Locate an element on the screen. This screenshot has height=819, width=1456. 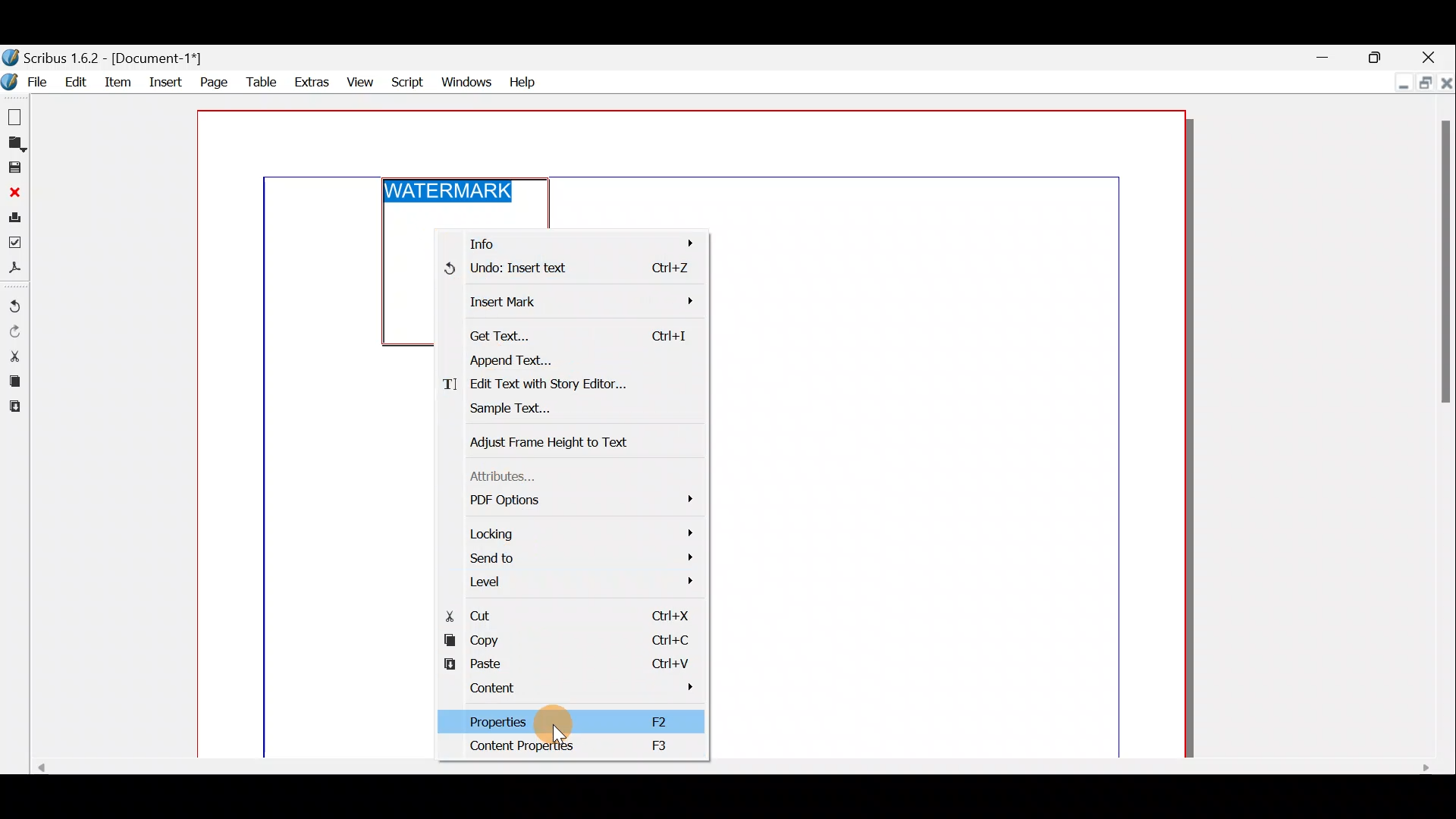
Undo Insert Text is located at coordinates (577, 271).